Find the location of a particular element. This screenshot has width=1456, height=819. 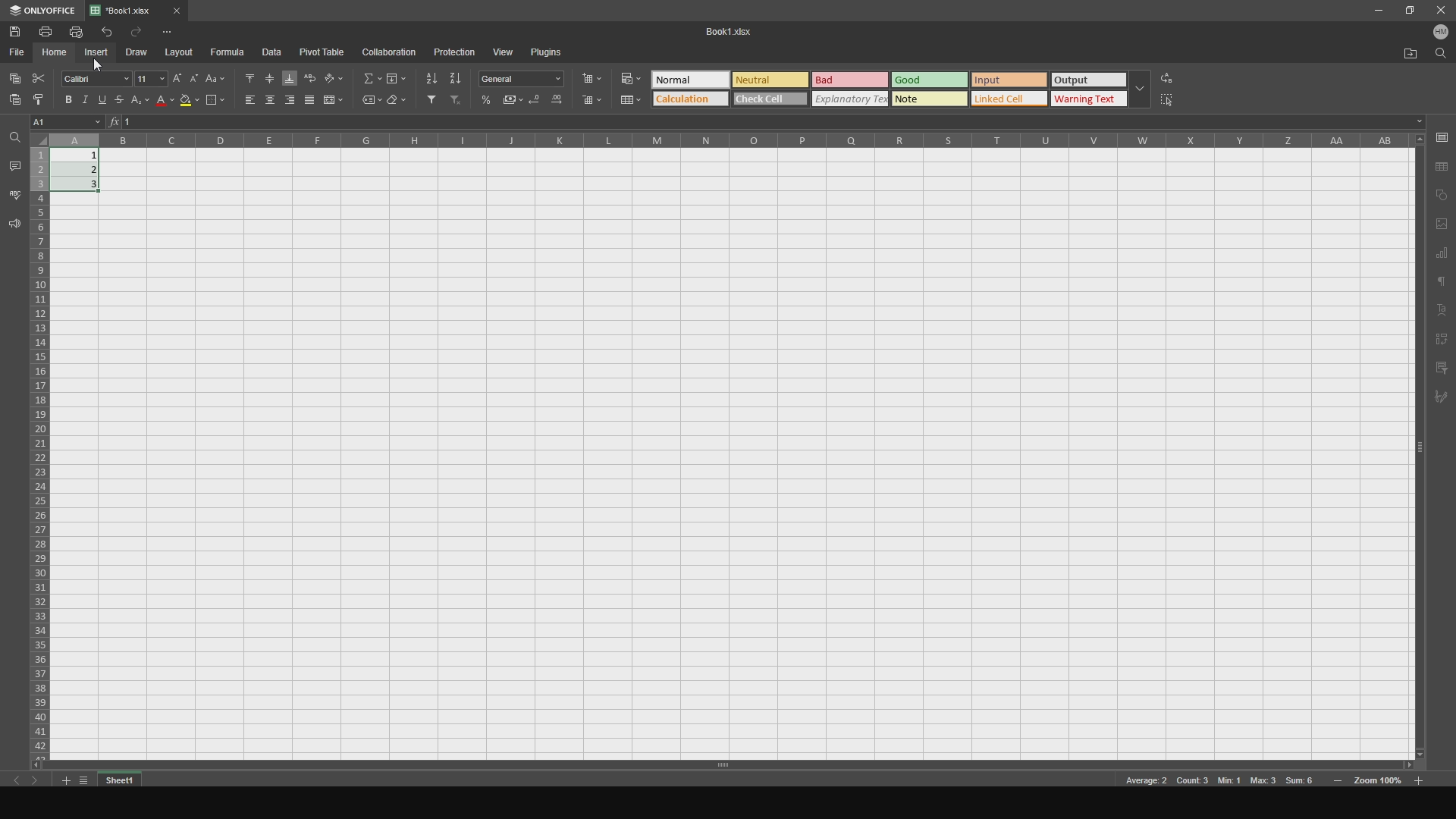

view is located at coordinates (504, 50).